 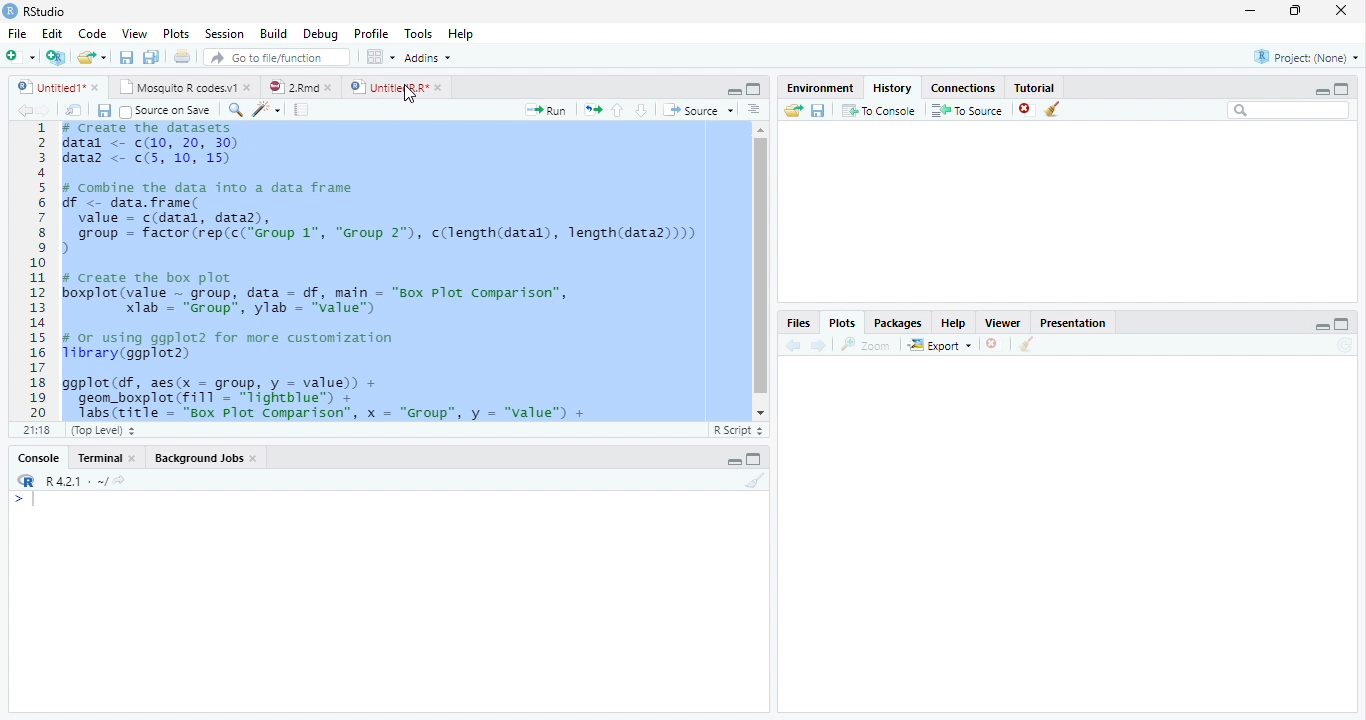 I want to click on Show in new window, so click(x=74, y=109).